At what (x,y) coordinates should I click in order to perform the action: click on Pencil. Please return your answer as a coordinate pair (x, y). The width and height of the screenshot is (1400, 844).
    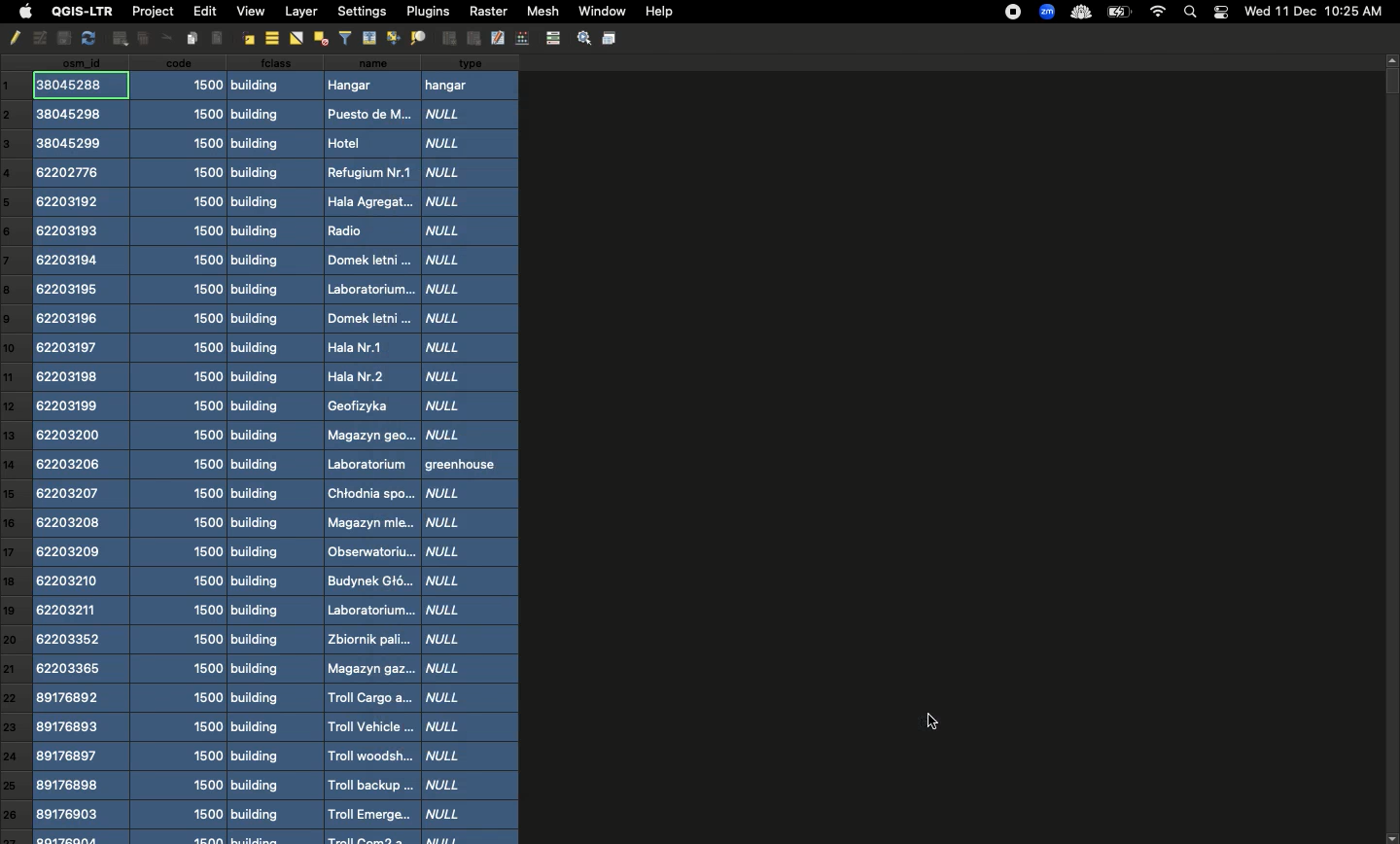
    Looking at the image, I should click on (13, 38).